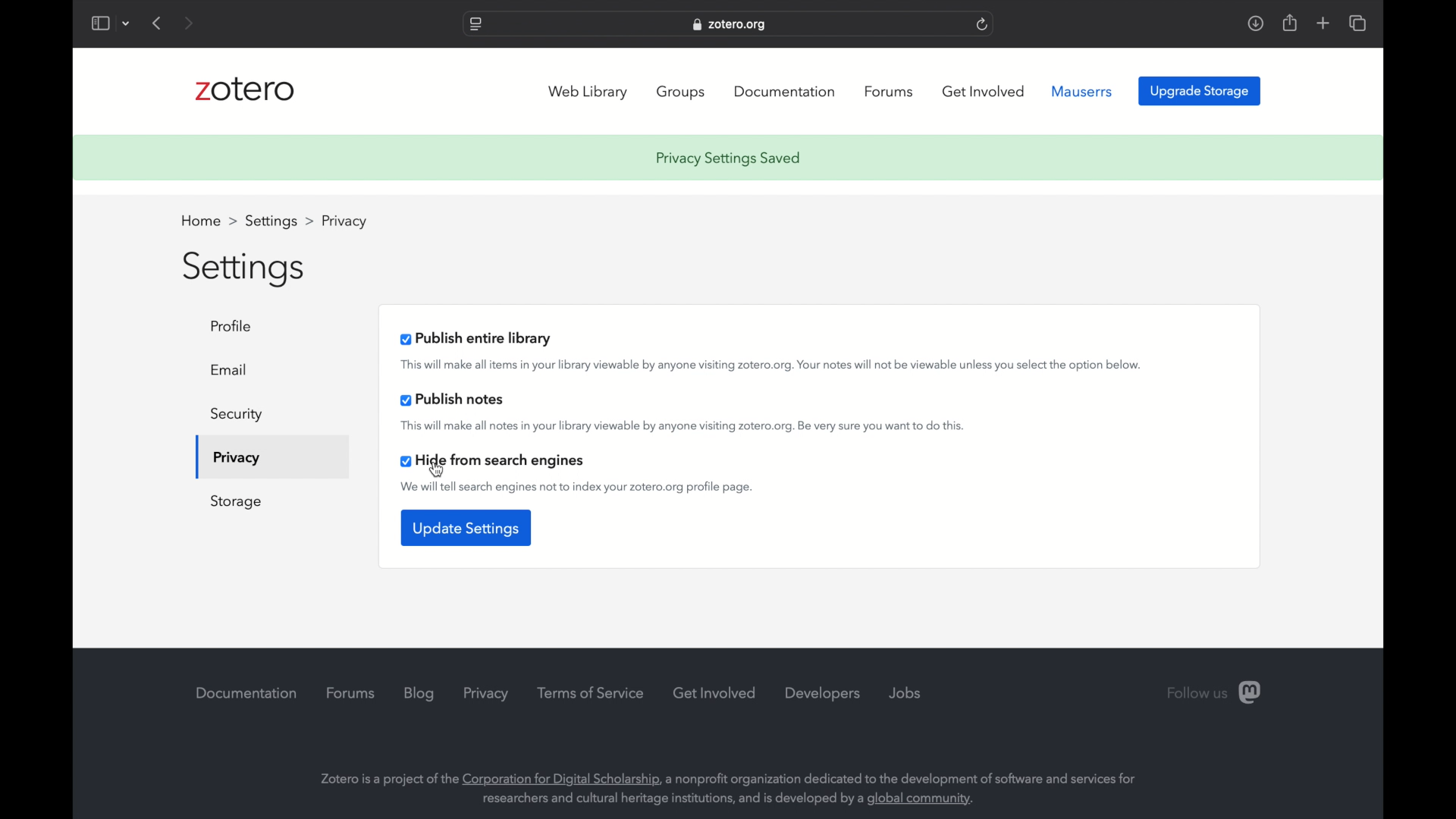 The width and height of the screenshot is (1456, 819). What do you see at coordinates (493, 460) in the screenshot?
I see `hide from search engines` at bounding box center [493, 460].